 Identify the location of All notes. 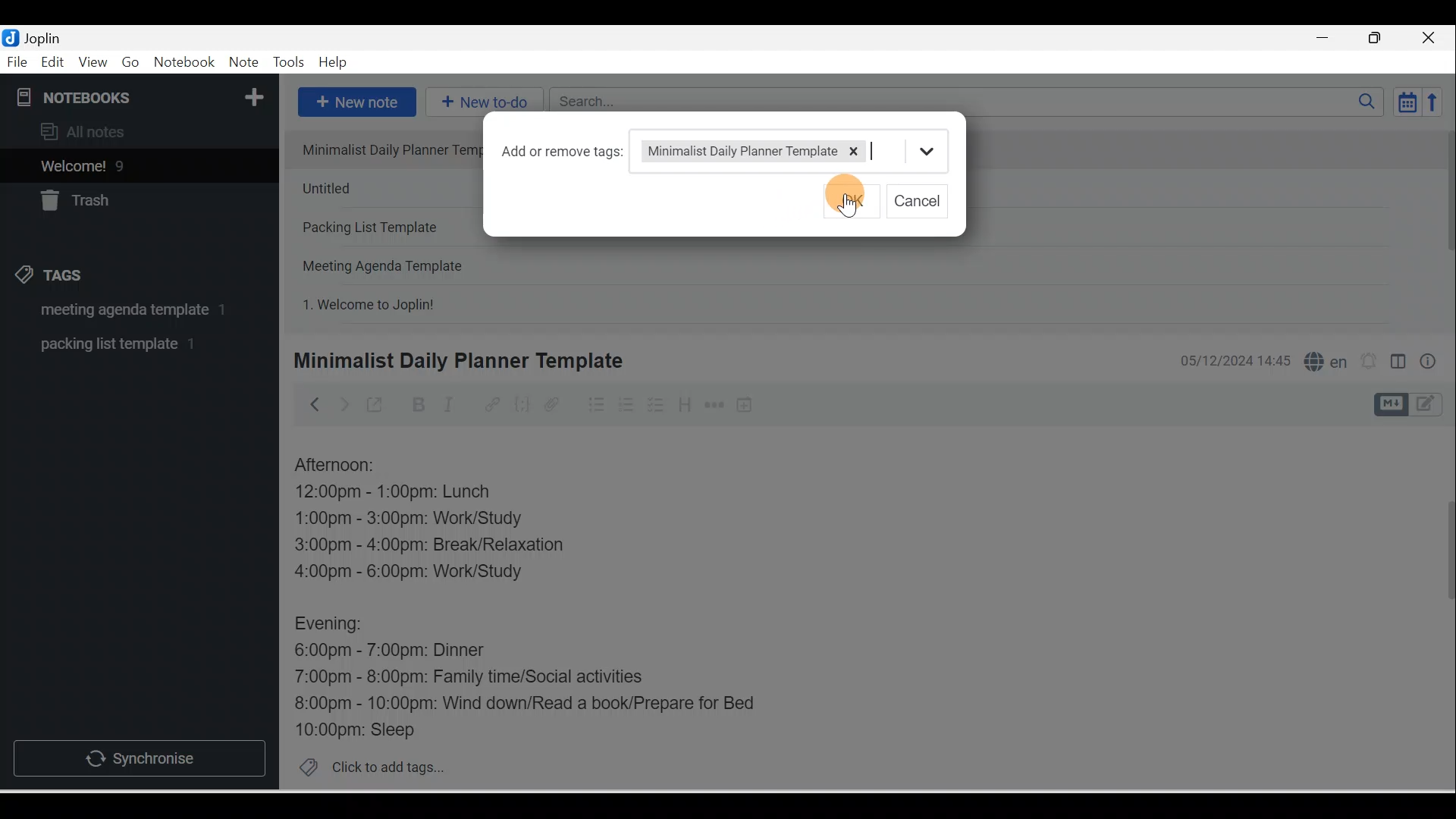
(137, 131).